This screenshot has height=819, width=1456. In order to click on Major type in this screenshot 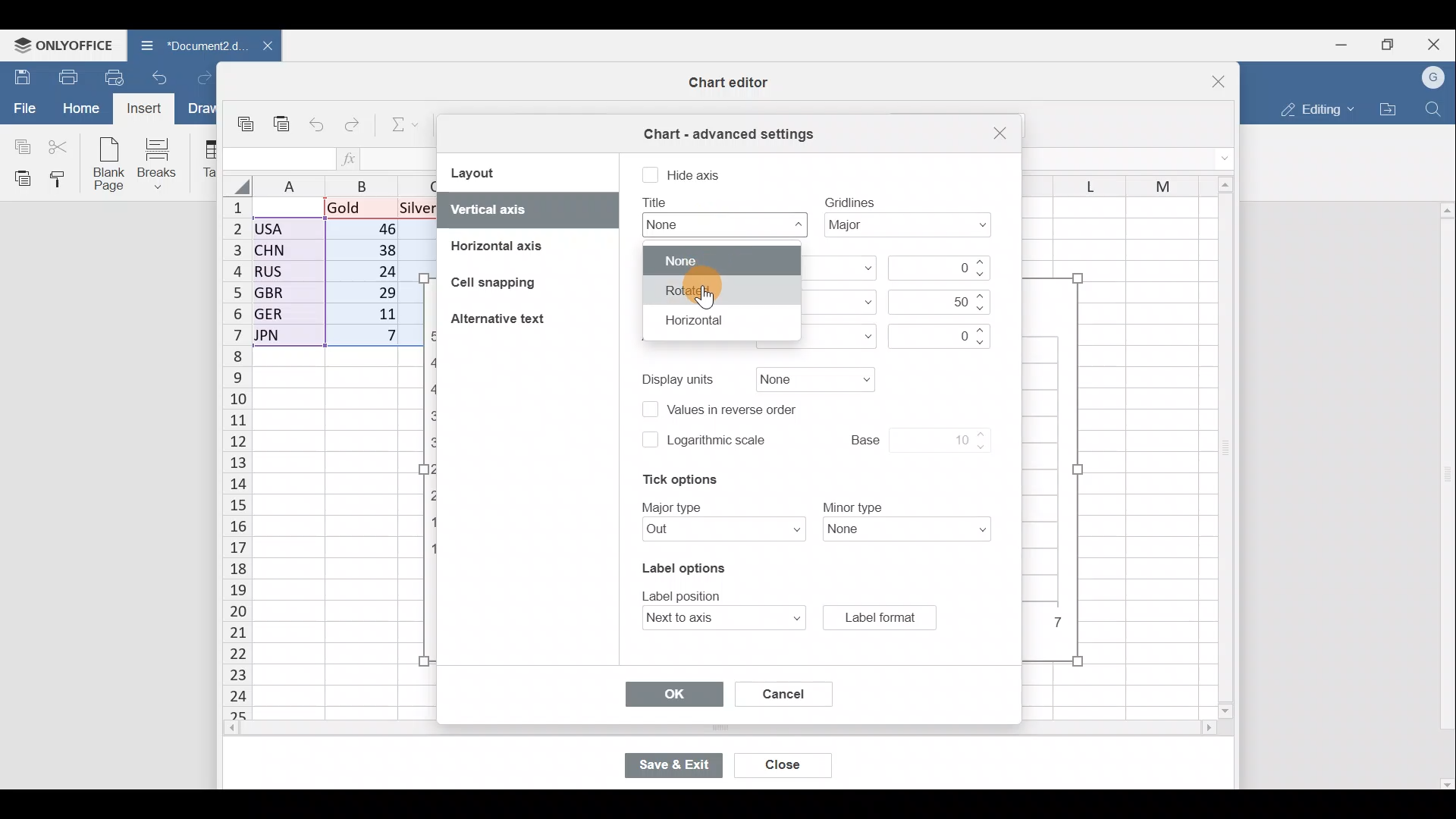, I will do `click(723, 531)`.